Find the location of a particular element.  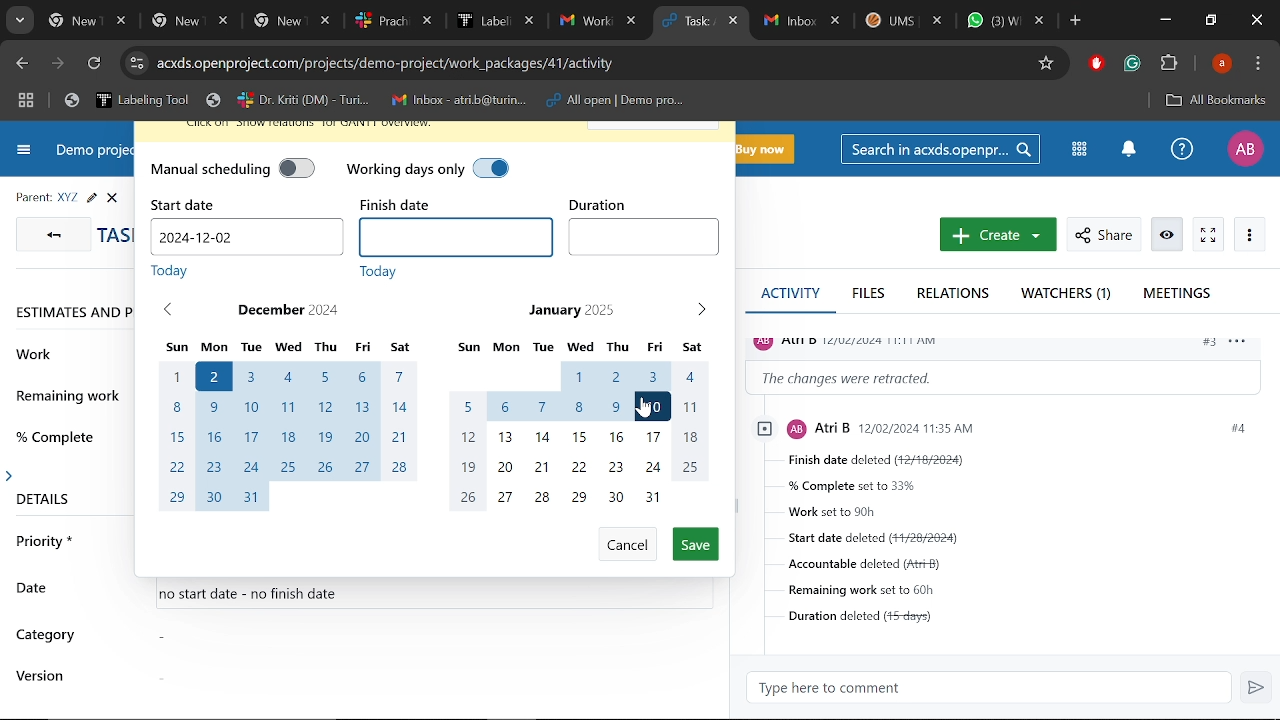

Help is located at coordinates (1179, 149).